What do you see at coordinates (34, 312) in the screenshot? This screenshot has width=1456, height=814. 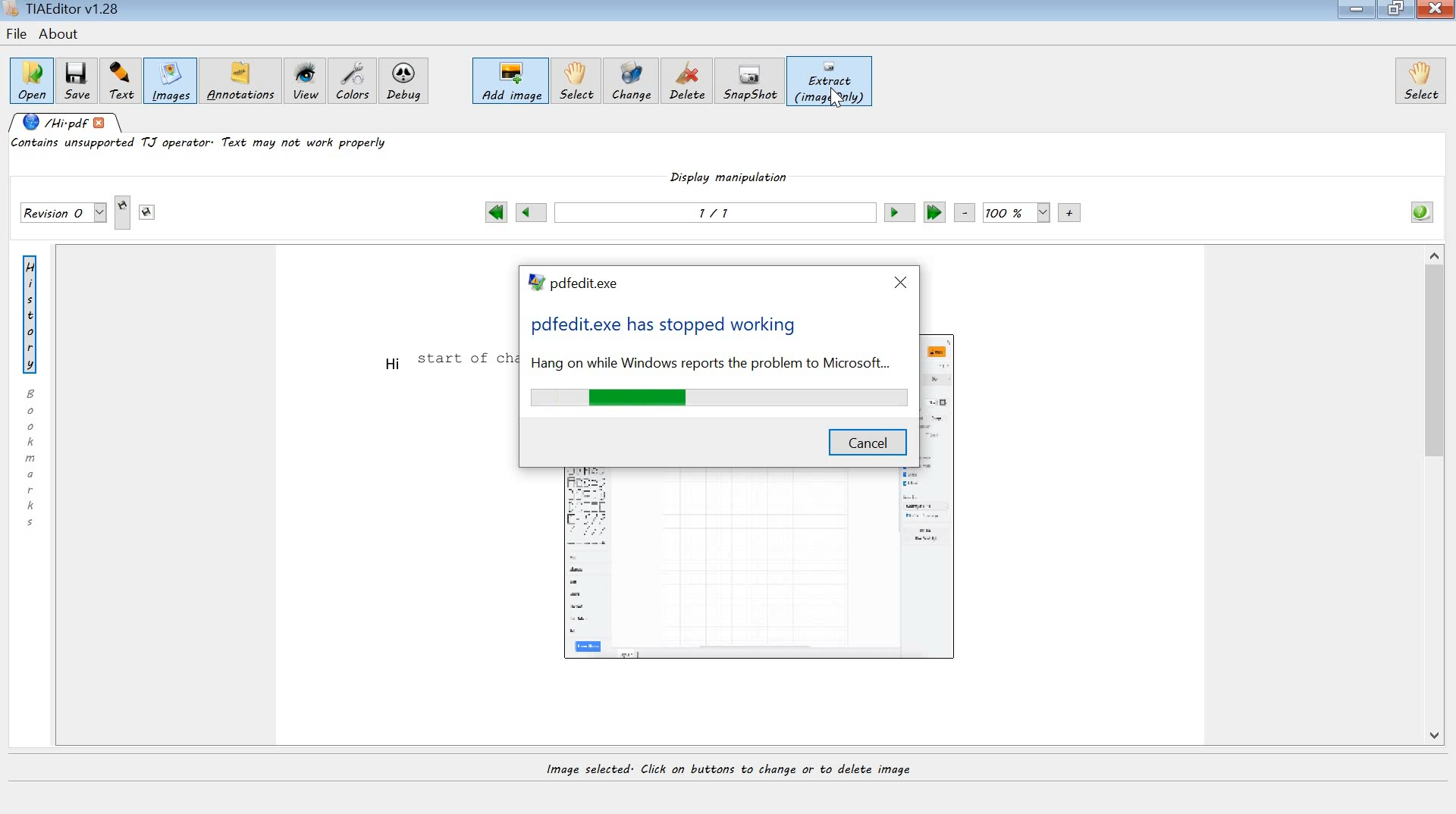 I see `History` at bounding box center [34, 312].